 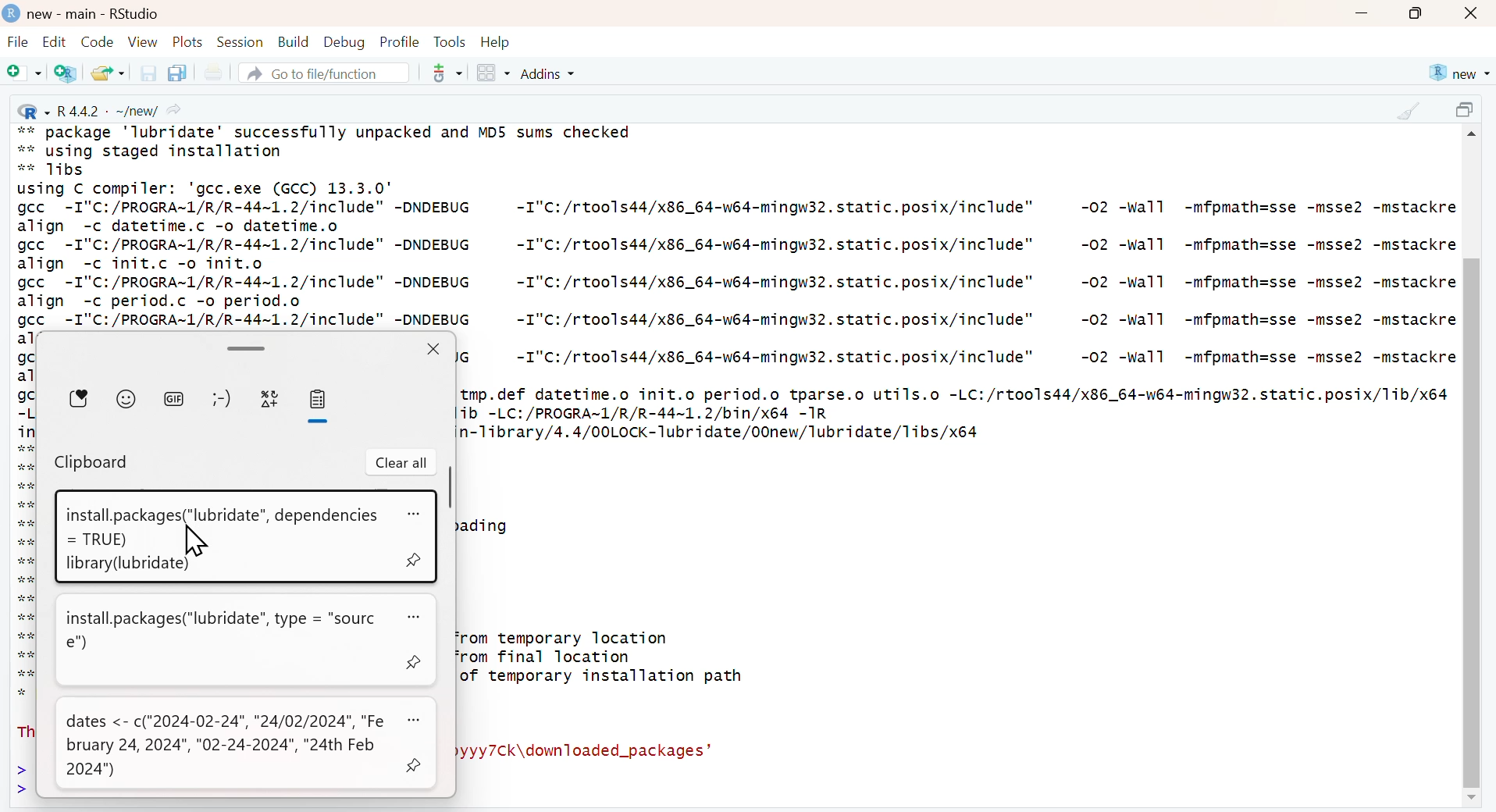 What do you see at coordinates (1468, 112) in the screenshot?
I see `maximize` at bounding box center [1468, 112].